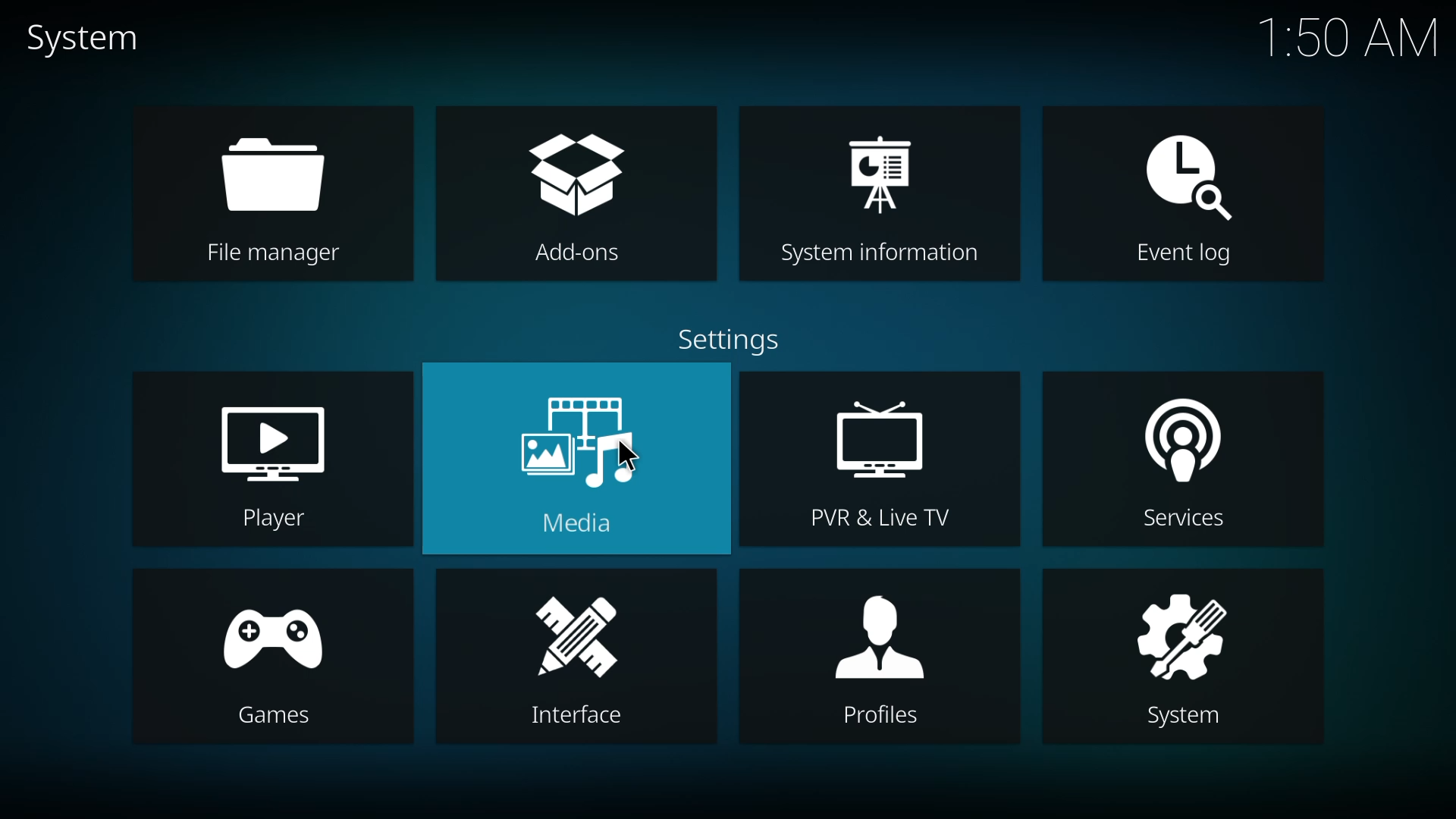 Image resolution: width=1456 pixels, height=819 pixels. Describe the element at coordinates (270, 664) in the screenshot. I see `games` at that location.